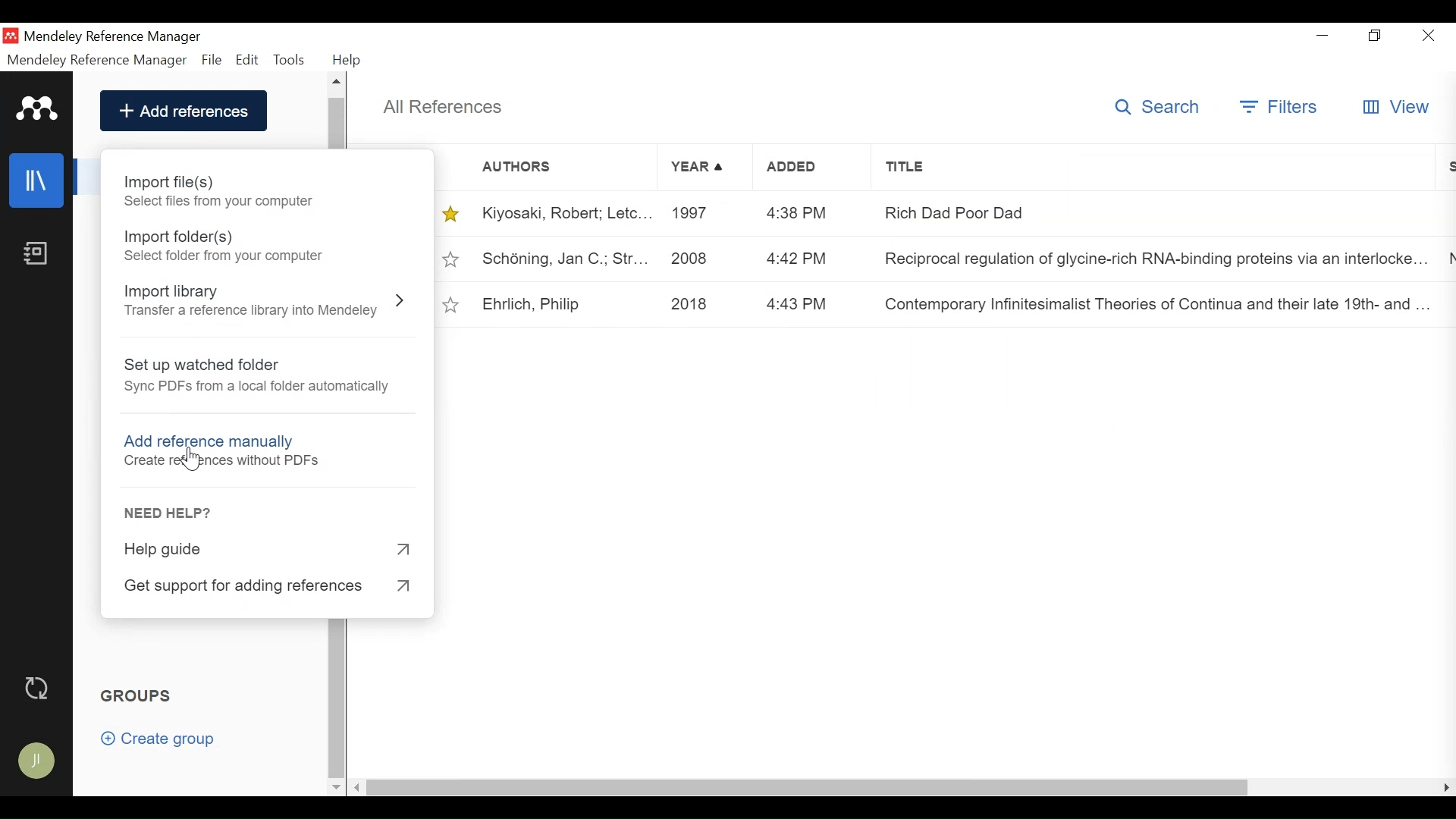 Image resolution: width=1456 pixels, height=819 pixels. Describe the element at coordinates (811, 303) in the screenshot. I see `4:43 PM` at that location.